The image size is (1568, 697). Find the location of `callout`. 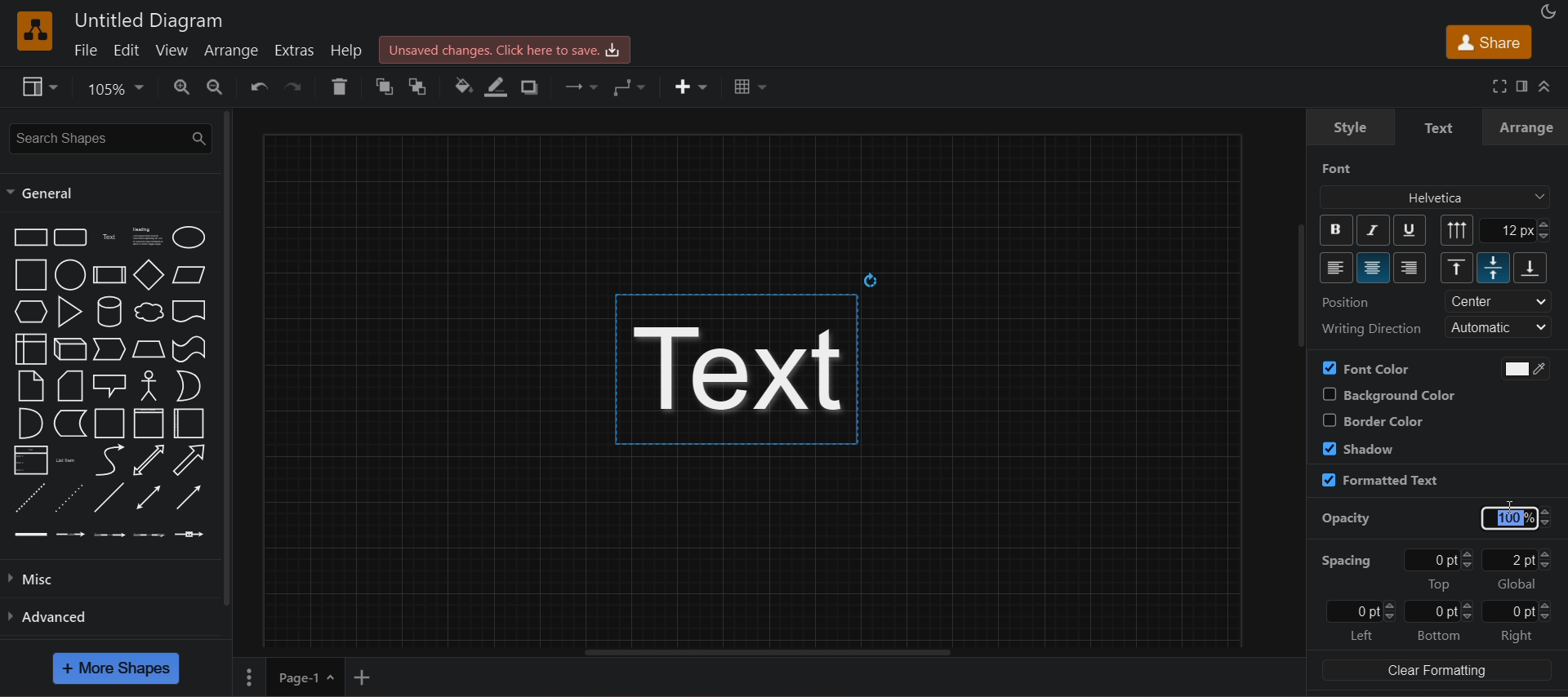

callout is located at coordinates (110, 385).